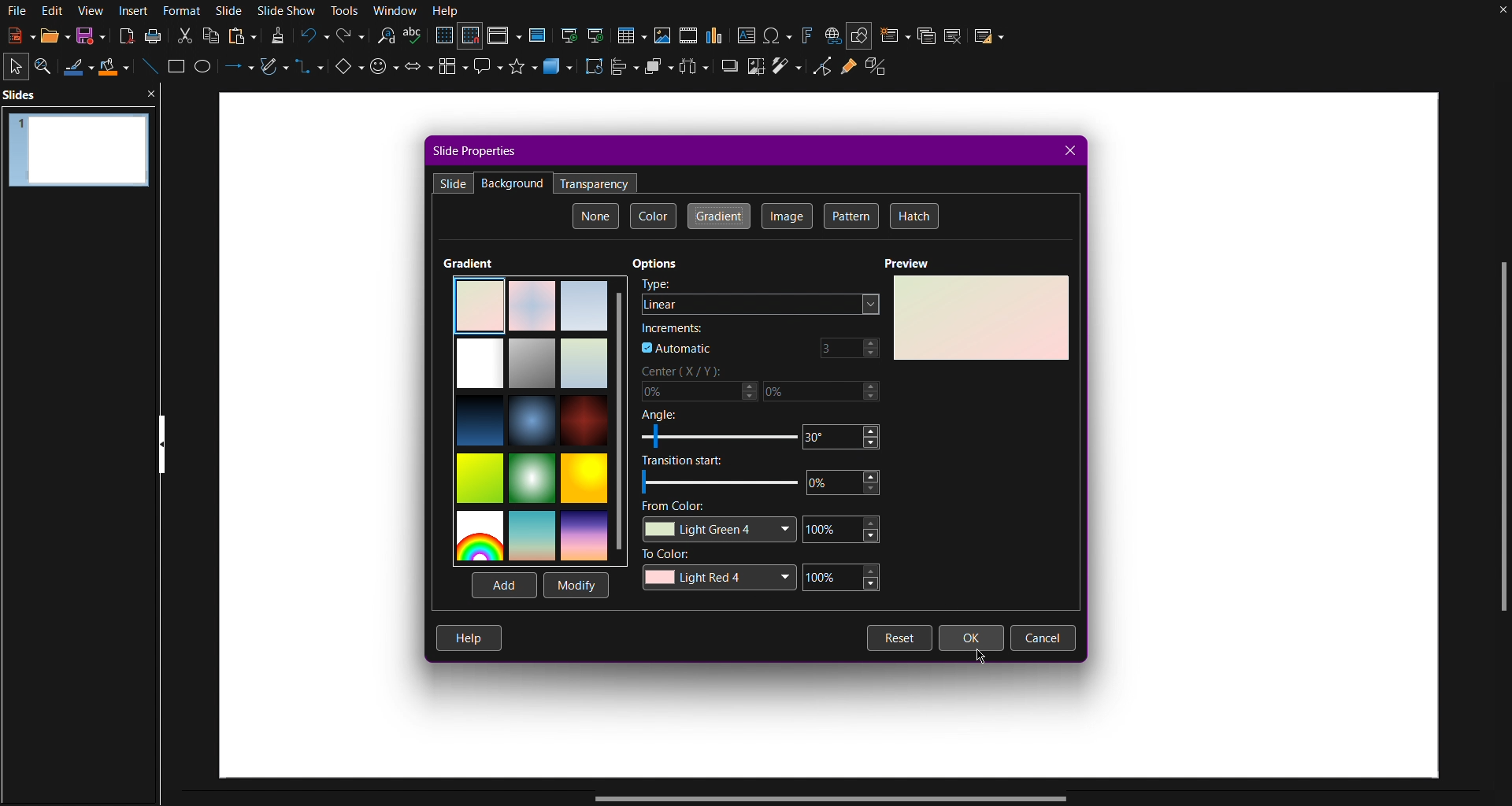  I want to click on modify, so click(574, 583).